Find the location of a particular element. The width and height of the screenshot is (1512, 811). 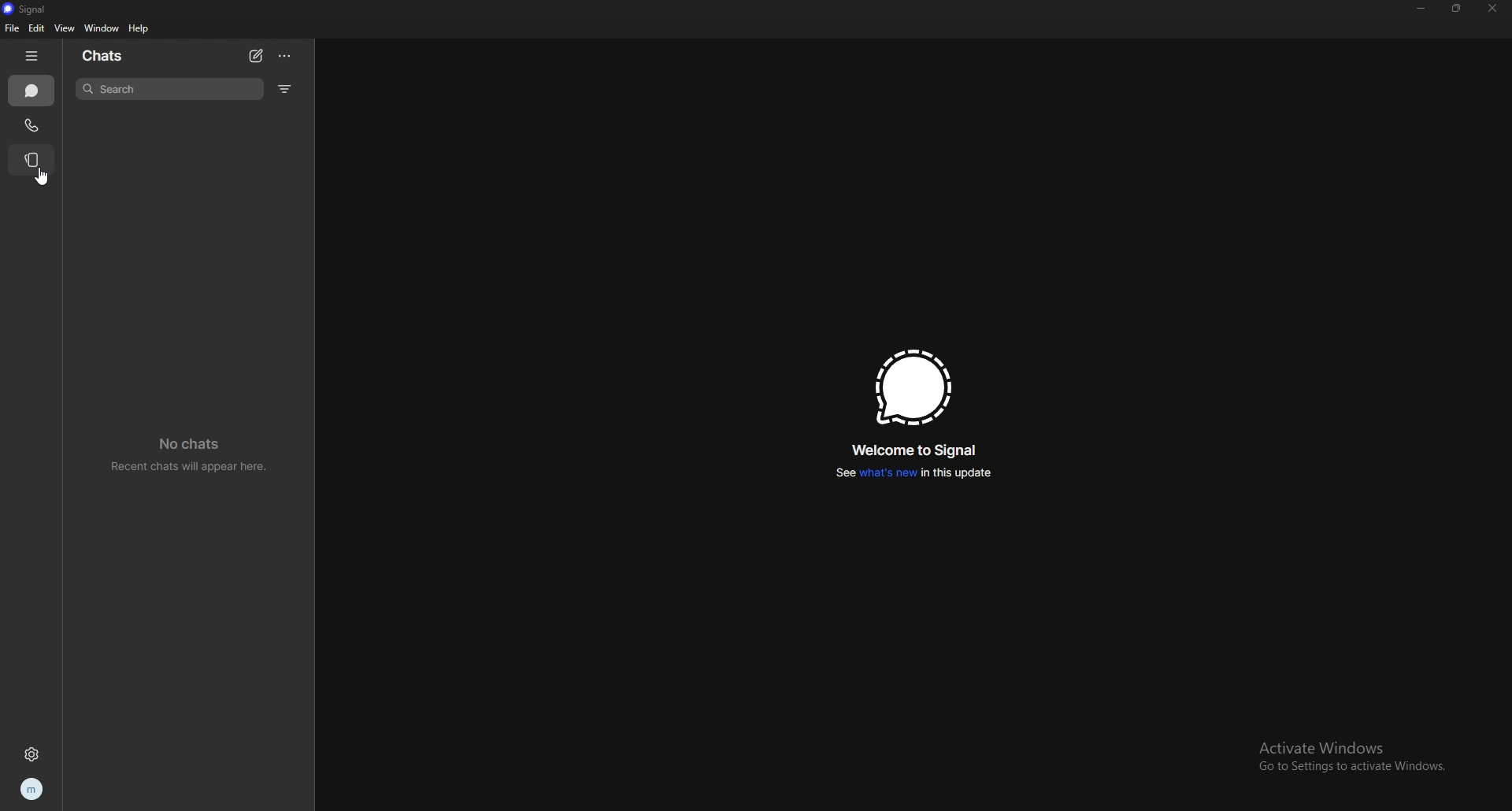

filter is located at coordinates (287, 89).